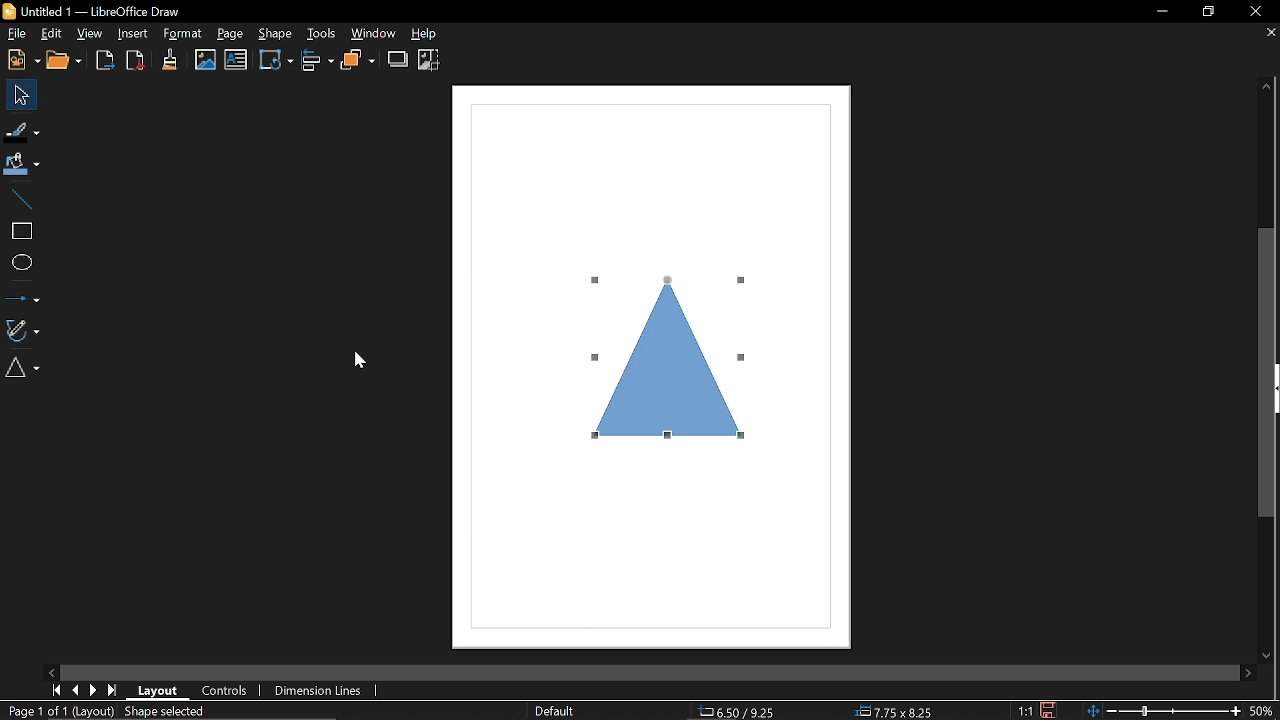 This screenshot has width=1280, height=720. Describe the element at coordinates (355, 360) in the screenshot. I see `Cursor` at that location.